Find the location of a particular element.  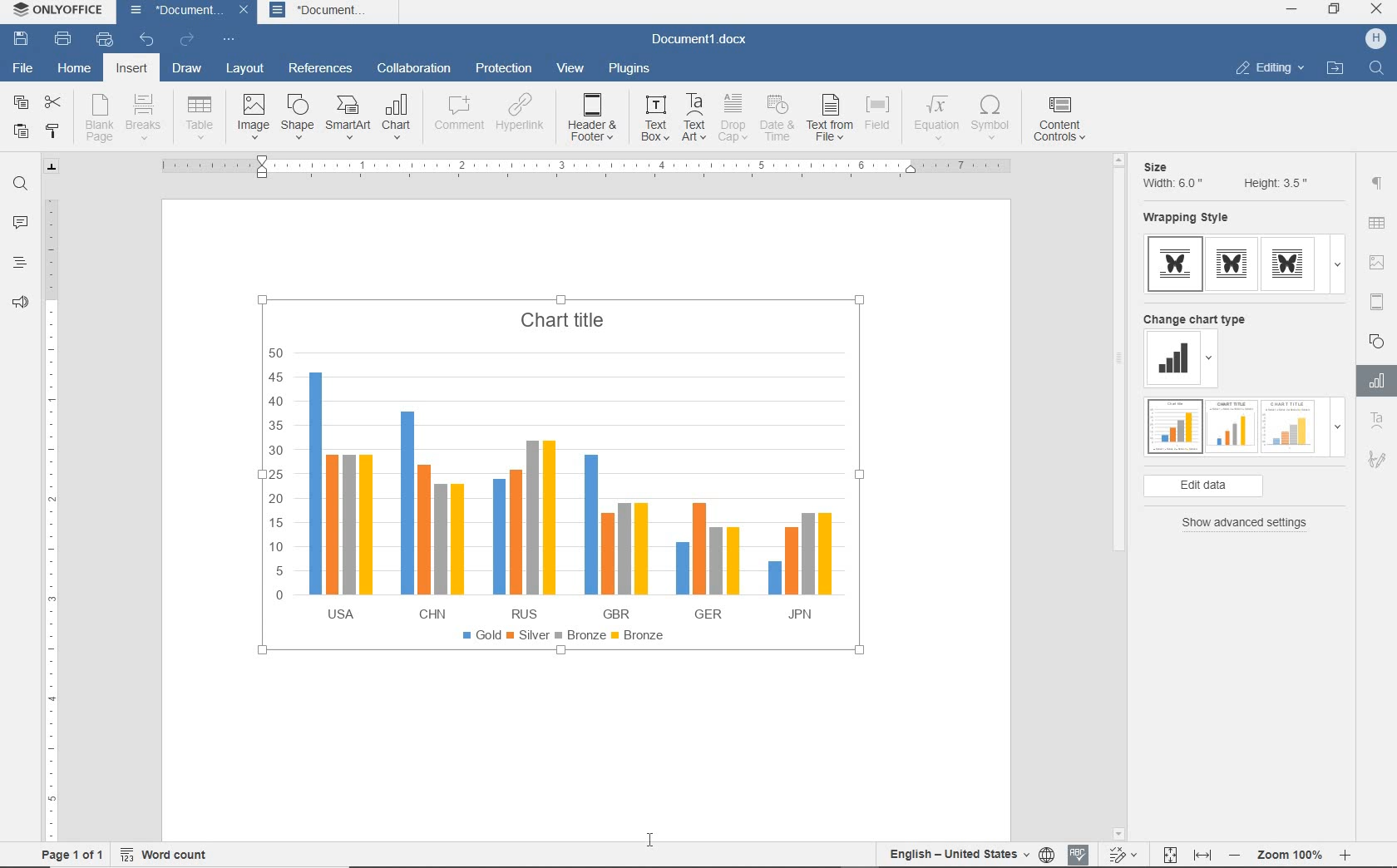

chart title is located at coordinates (567, 318).